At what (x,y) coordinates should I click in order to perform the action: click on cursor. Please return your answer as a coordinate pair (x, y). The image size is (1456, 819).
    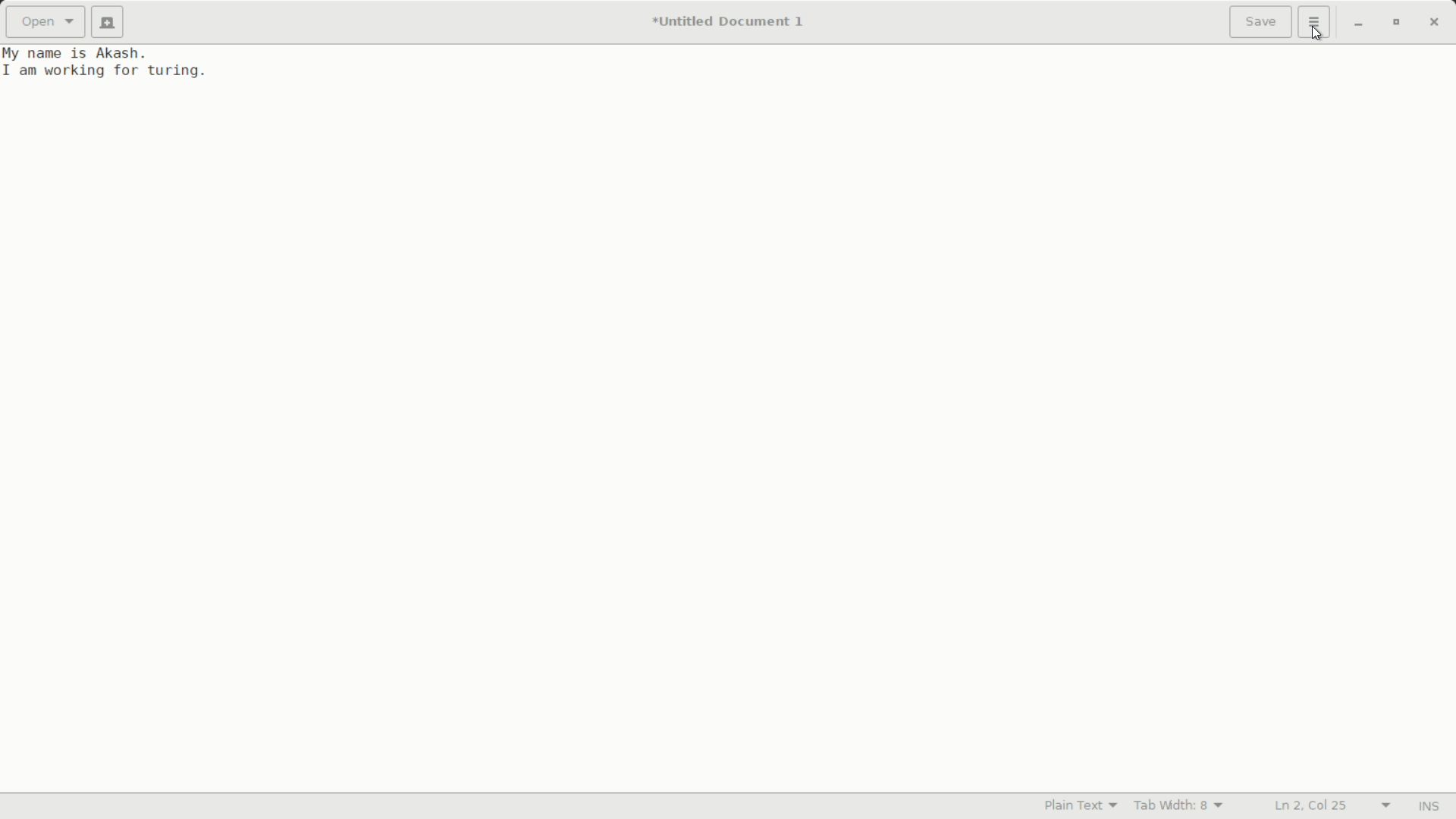
    Looking at the image, I should click on (1320, 36).